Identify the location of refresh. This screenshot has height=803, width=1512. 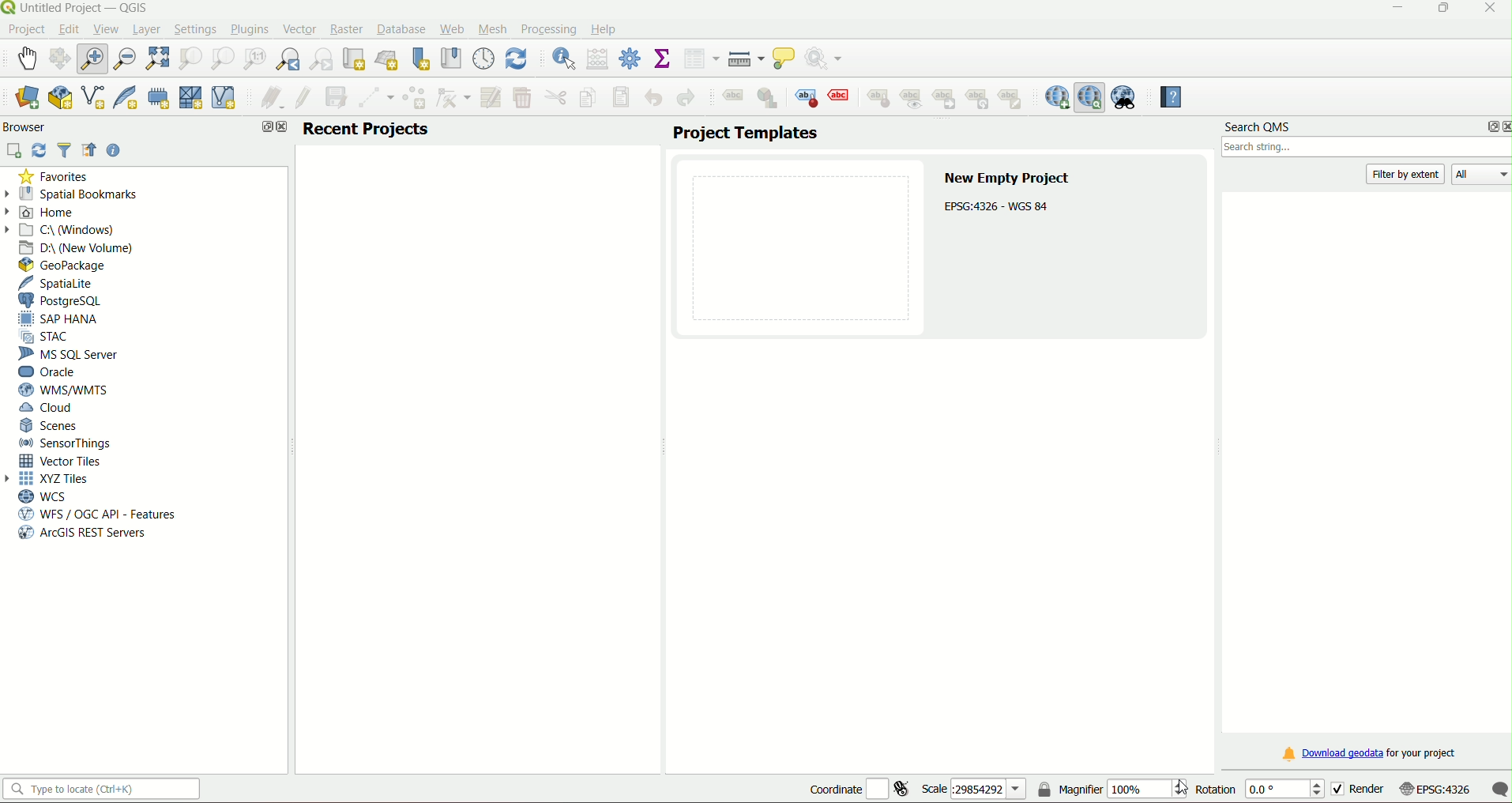
(39, 150).